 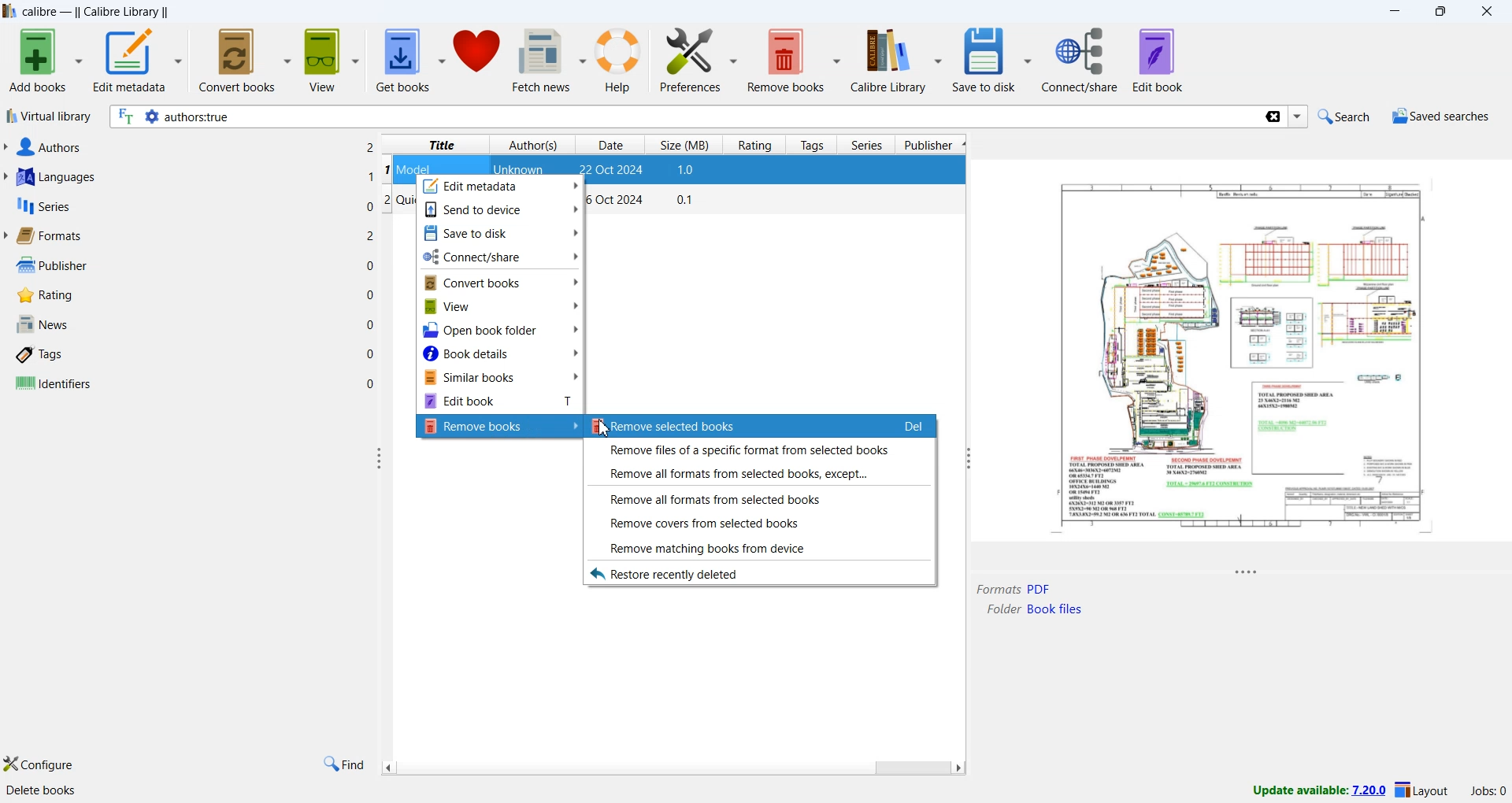 I want to click on calibre library, so click(x=899, y=60).